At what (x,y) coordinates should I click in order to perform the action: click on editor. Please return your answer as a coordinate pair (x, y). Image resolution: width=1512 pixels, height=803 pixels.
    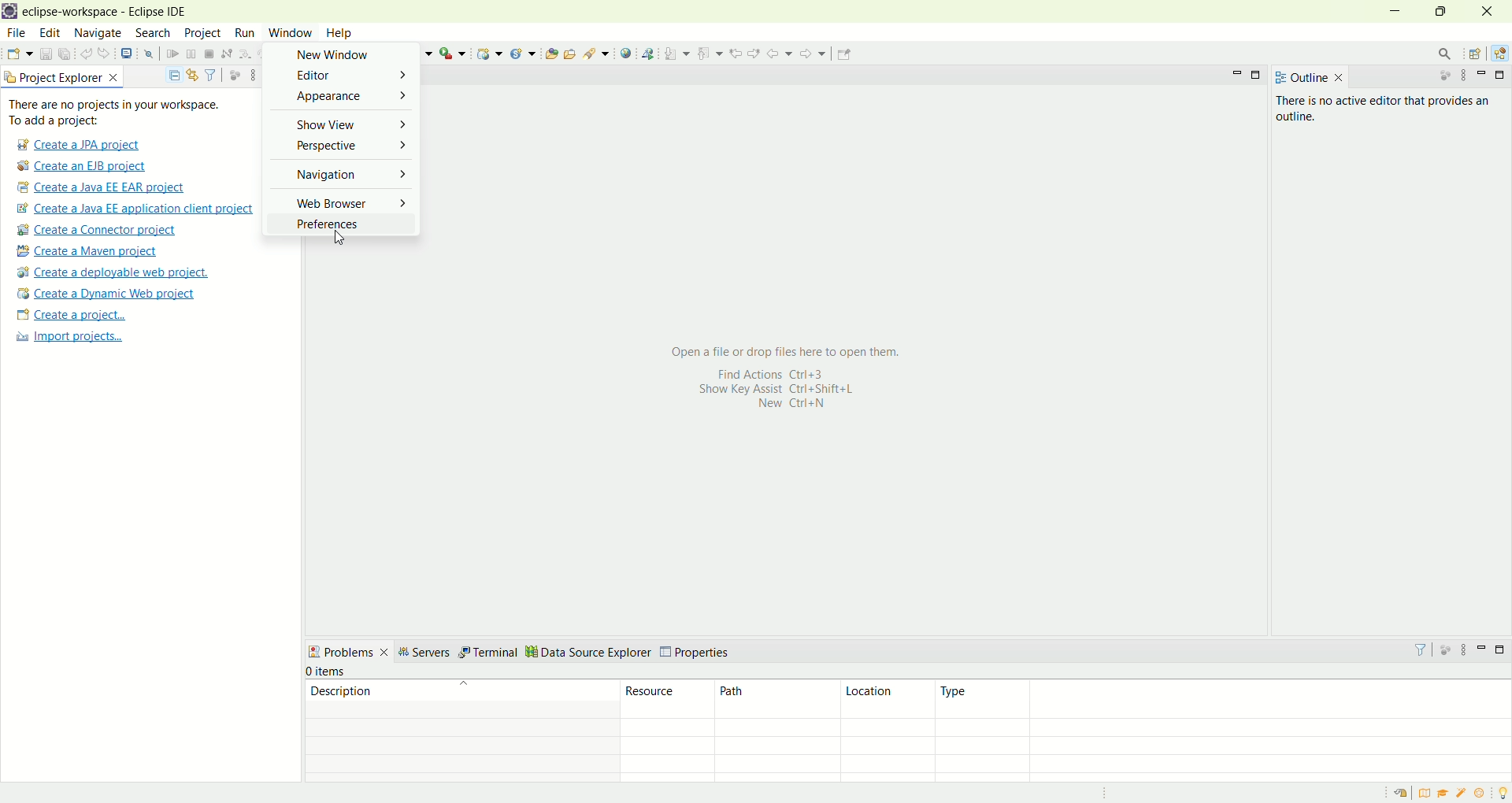
    Looking at the image, I should click on (339, 76).